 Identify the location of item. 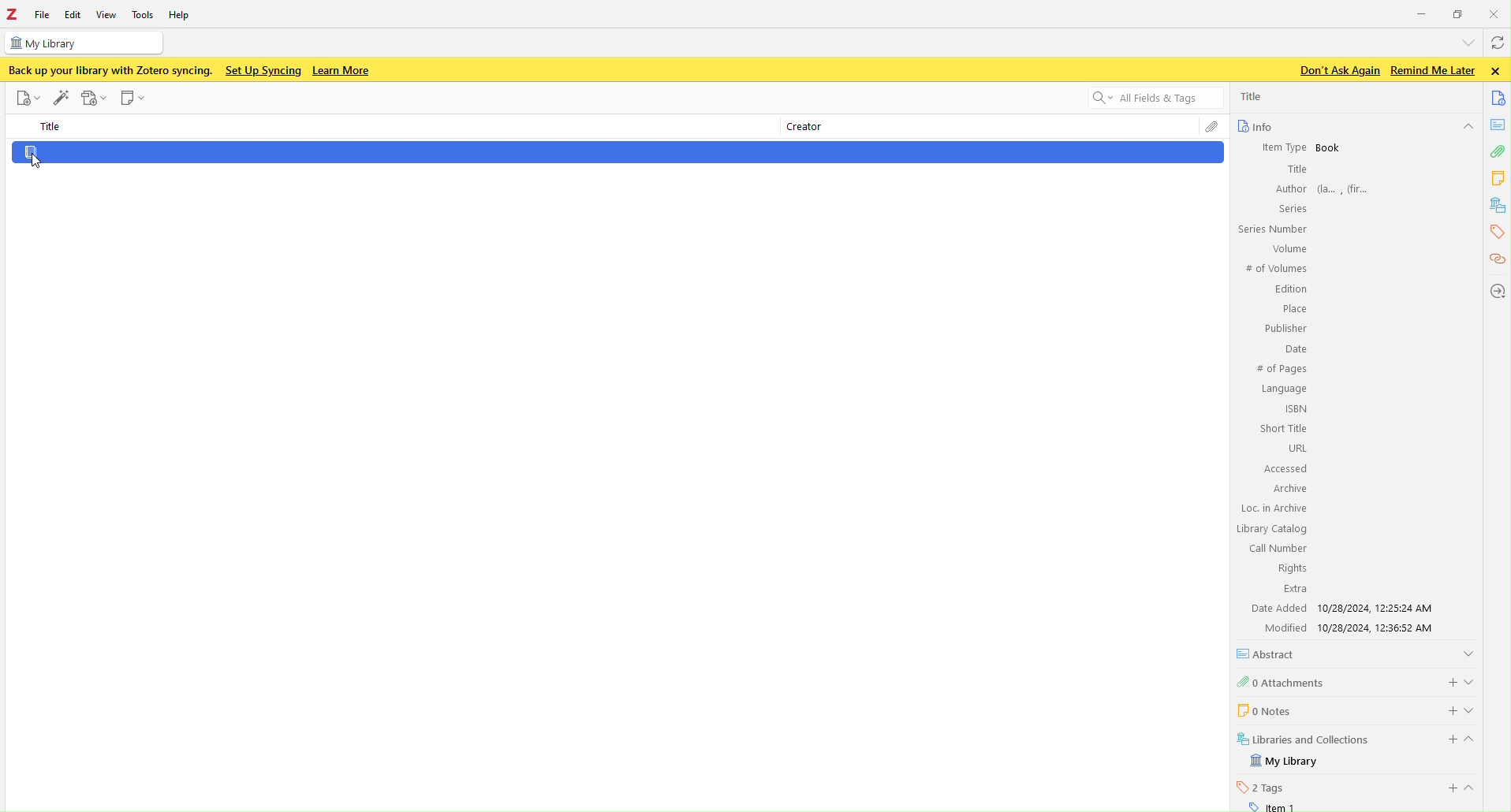
(1330, 800).